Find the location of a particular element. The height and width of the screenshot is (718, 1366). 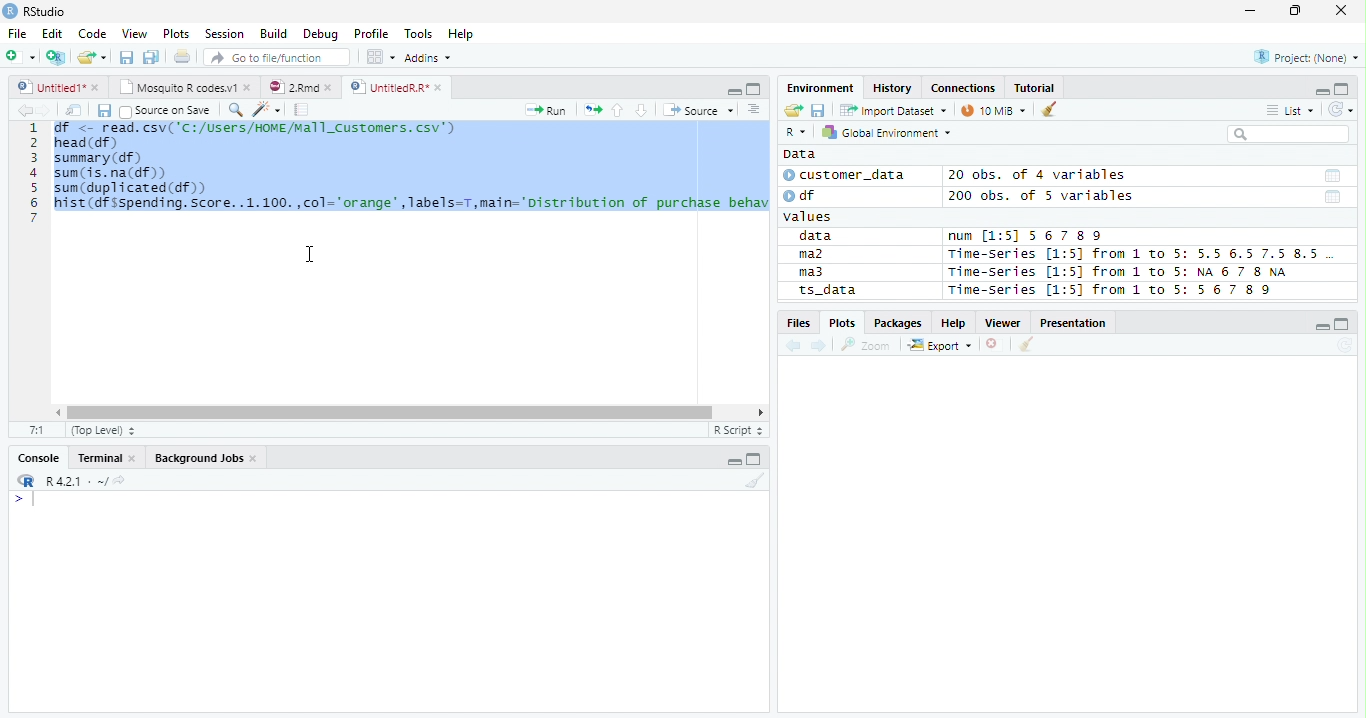

R 4.2.1 ~/ is located at coordinates (75, 480).